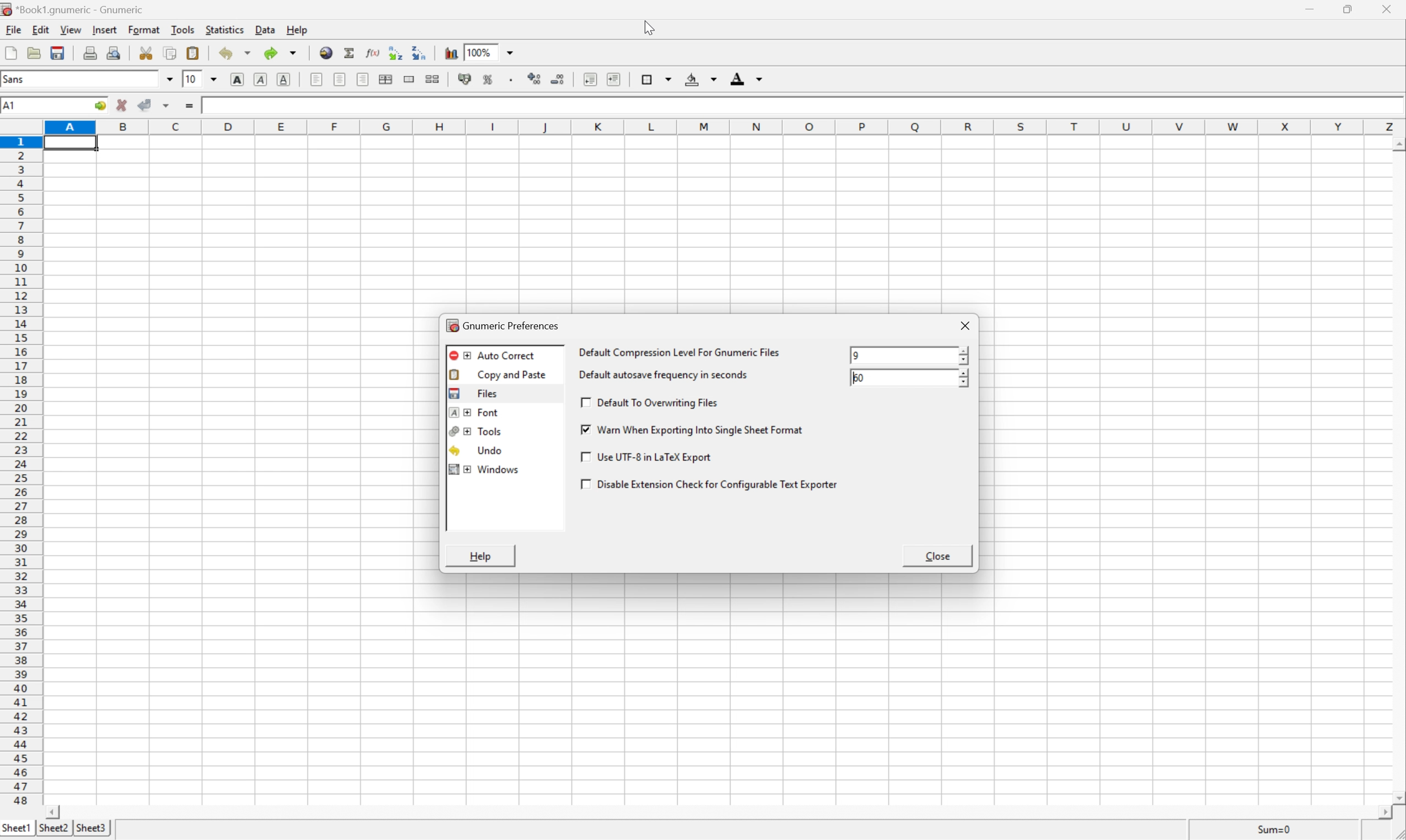 The image size is (1406, 840). What do you see at coordinates (712, 376) in the screenshot?
I see `default autosave frequency in seconds` at bounding box center [712, 376].